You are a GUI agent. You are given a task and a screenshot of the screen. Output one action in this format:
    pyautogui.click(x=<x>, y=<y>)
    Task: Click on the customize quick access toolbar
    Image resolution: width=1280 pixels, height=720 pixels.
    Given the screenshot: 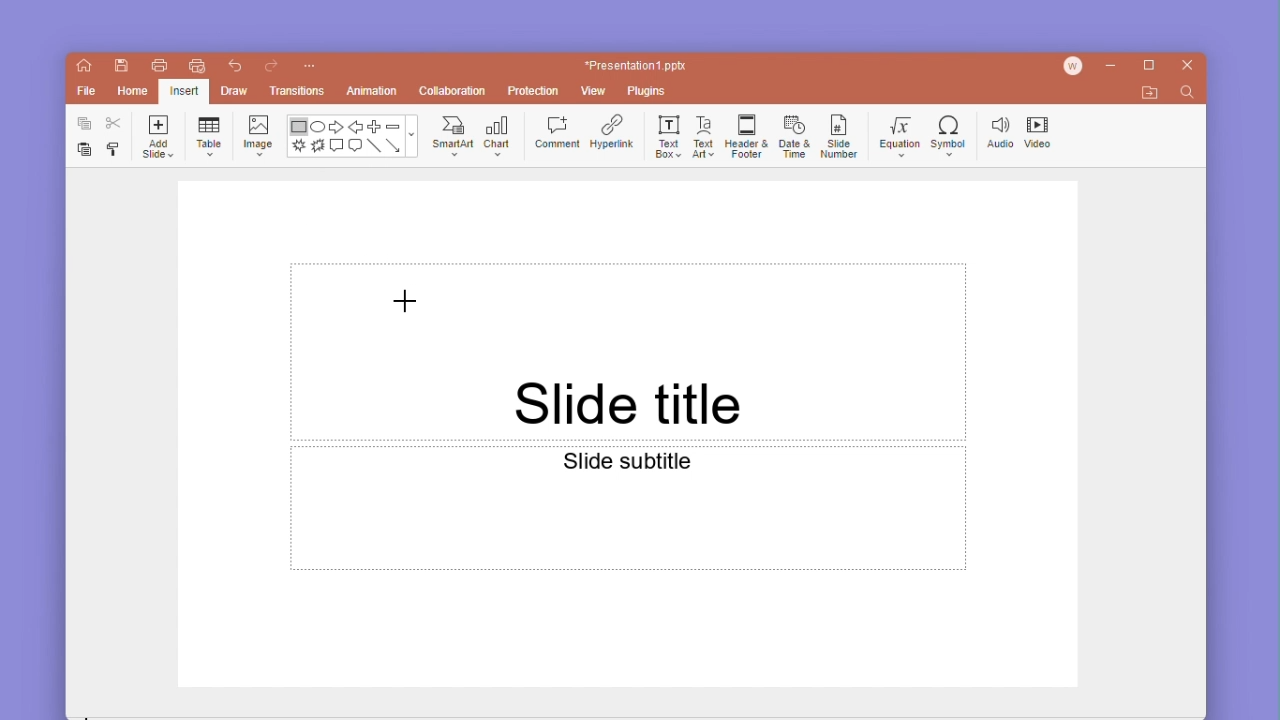 What is the action you would take?
    pyautogui.click(x=311, y=64)
    